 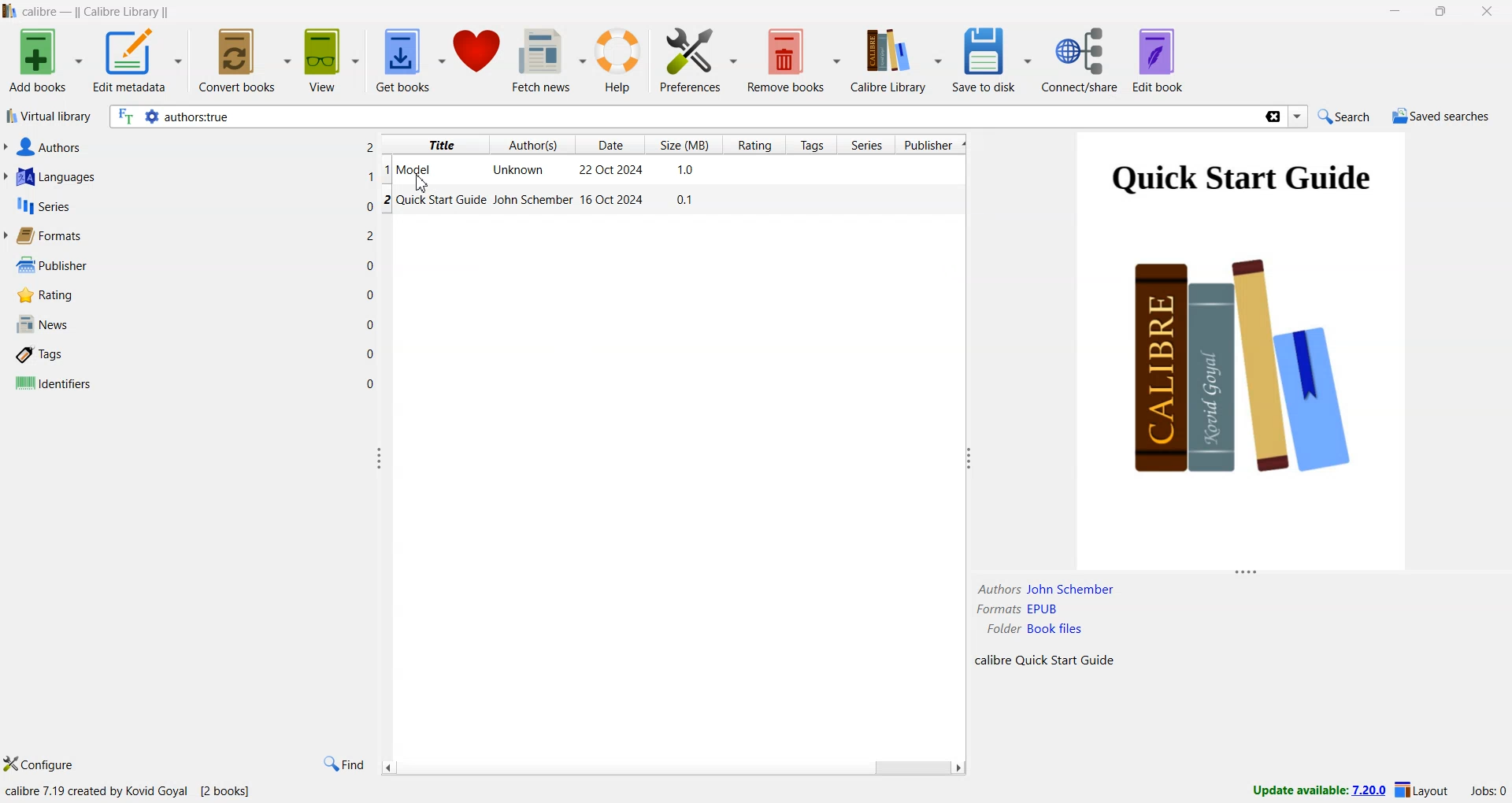 I want to click on calibre library, so click(x=125, y=13).